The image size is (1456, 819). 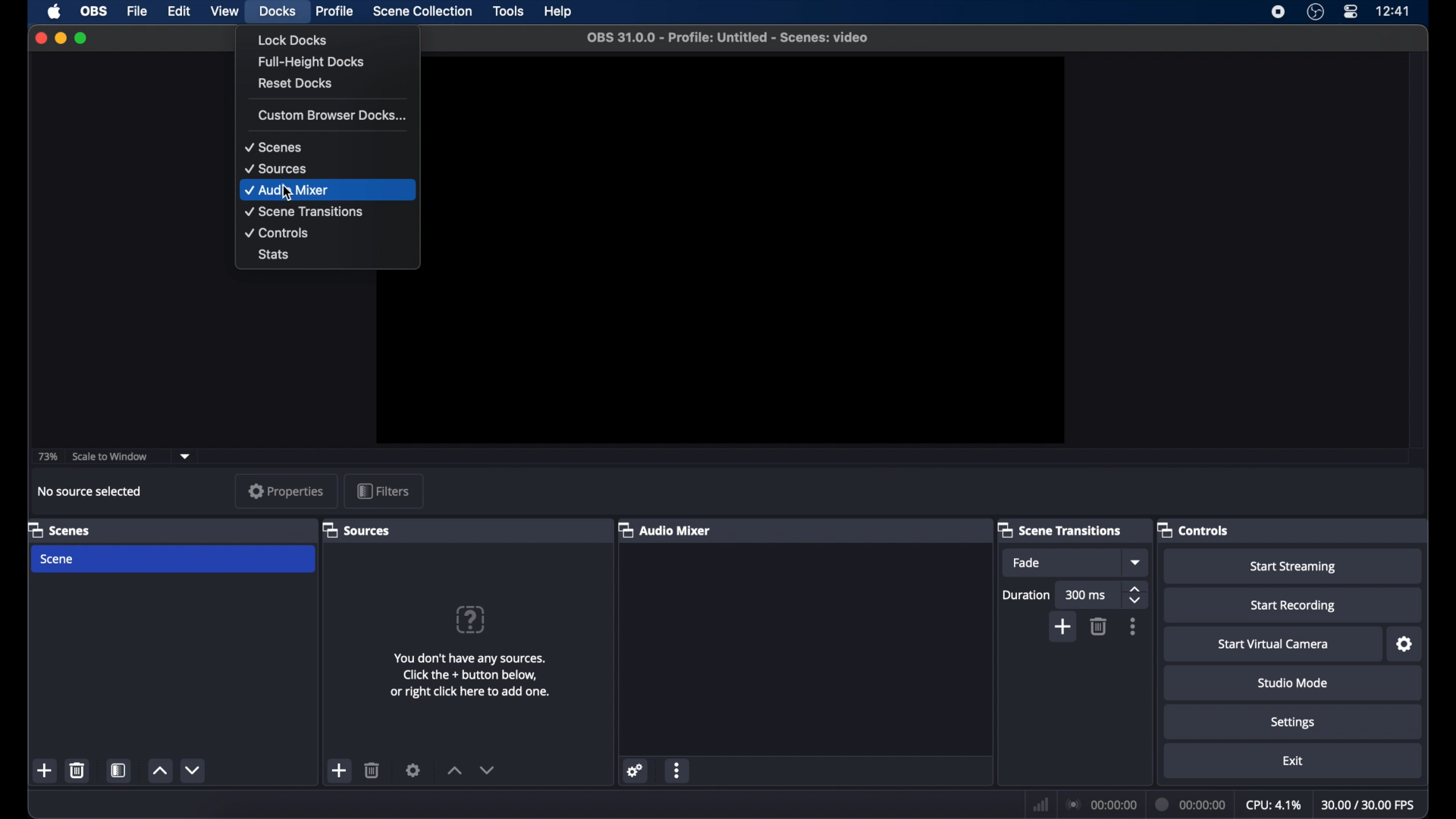 I want to click on 00:00:00, so click(x=1101, y=805).